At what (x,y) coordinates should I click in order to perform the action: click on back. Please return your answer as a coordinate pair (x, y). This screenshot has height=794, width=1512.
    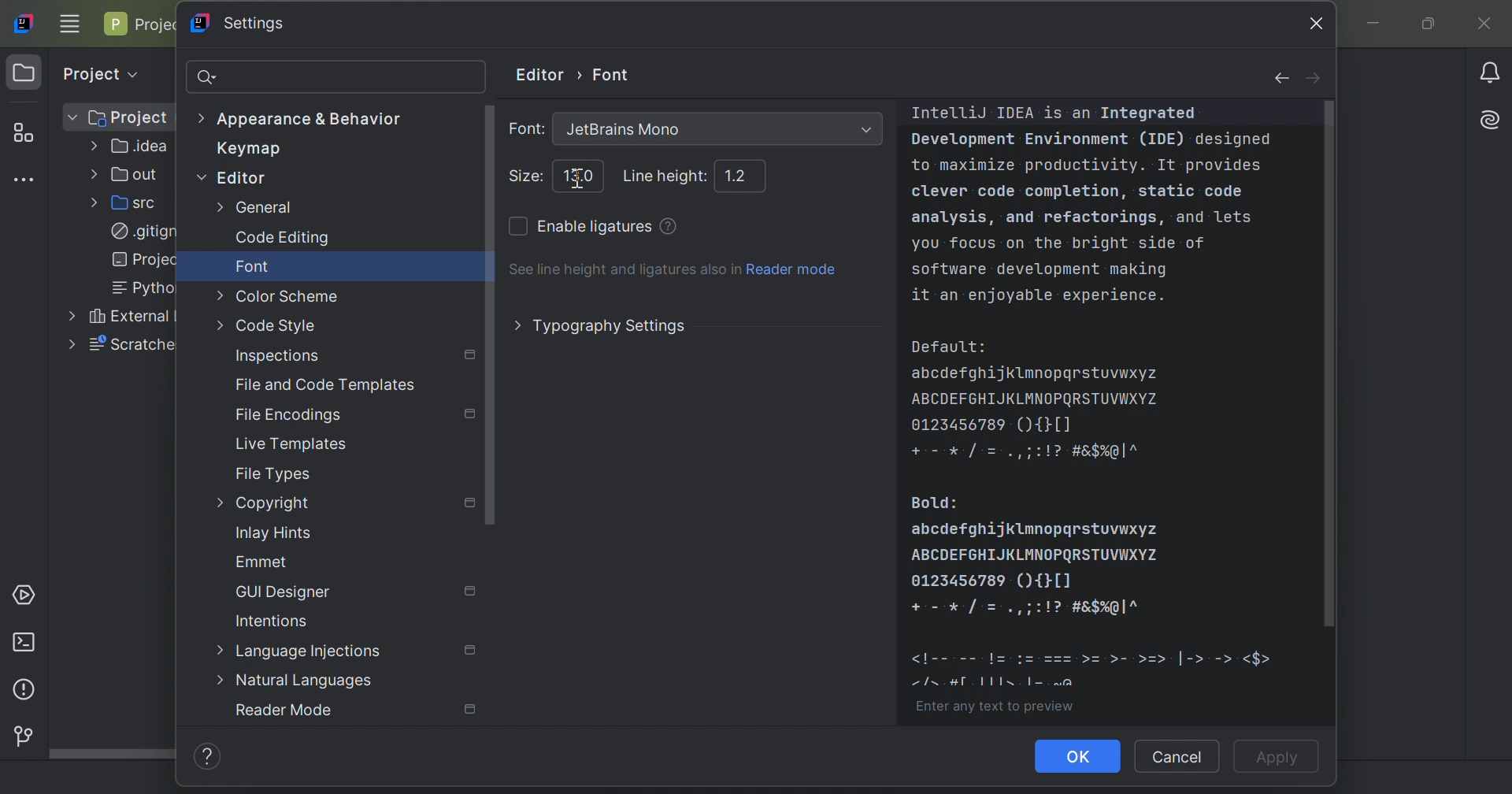
    Looking at the image, I should click on (1275, 80).